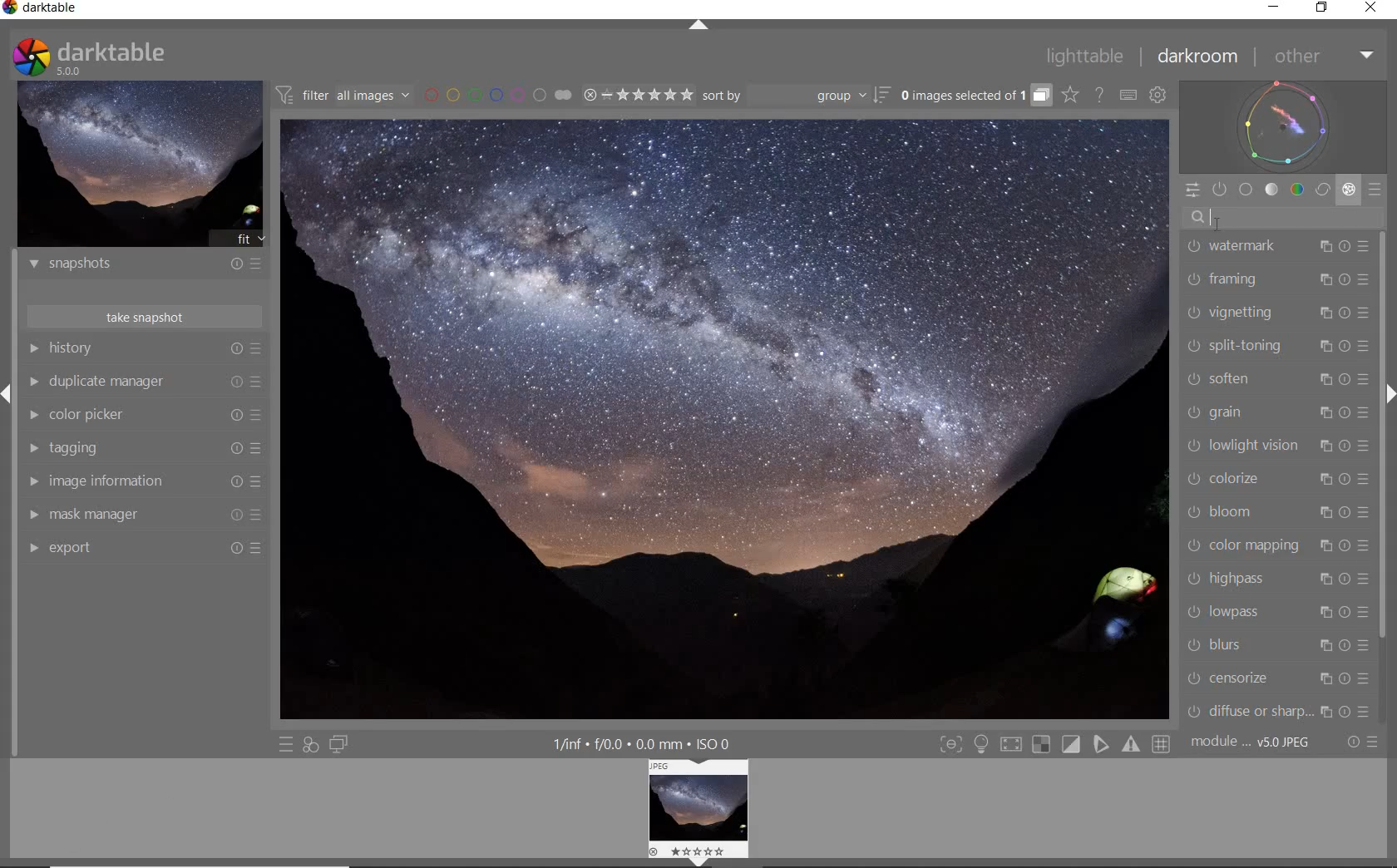 This screenshot has width=1397, height=868. What do you see at coordinates (1345, 412) in the screenshot?
I see `reset parameters` at bounding box center [1345, 412].